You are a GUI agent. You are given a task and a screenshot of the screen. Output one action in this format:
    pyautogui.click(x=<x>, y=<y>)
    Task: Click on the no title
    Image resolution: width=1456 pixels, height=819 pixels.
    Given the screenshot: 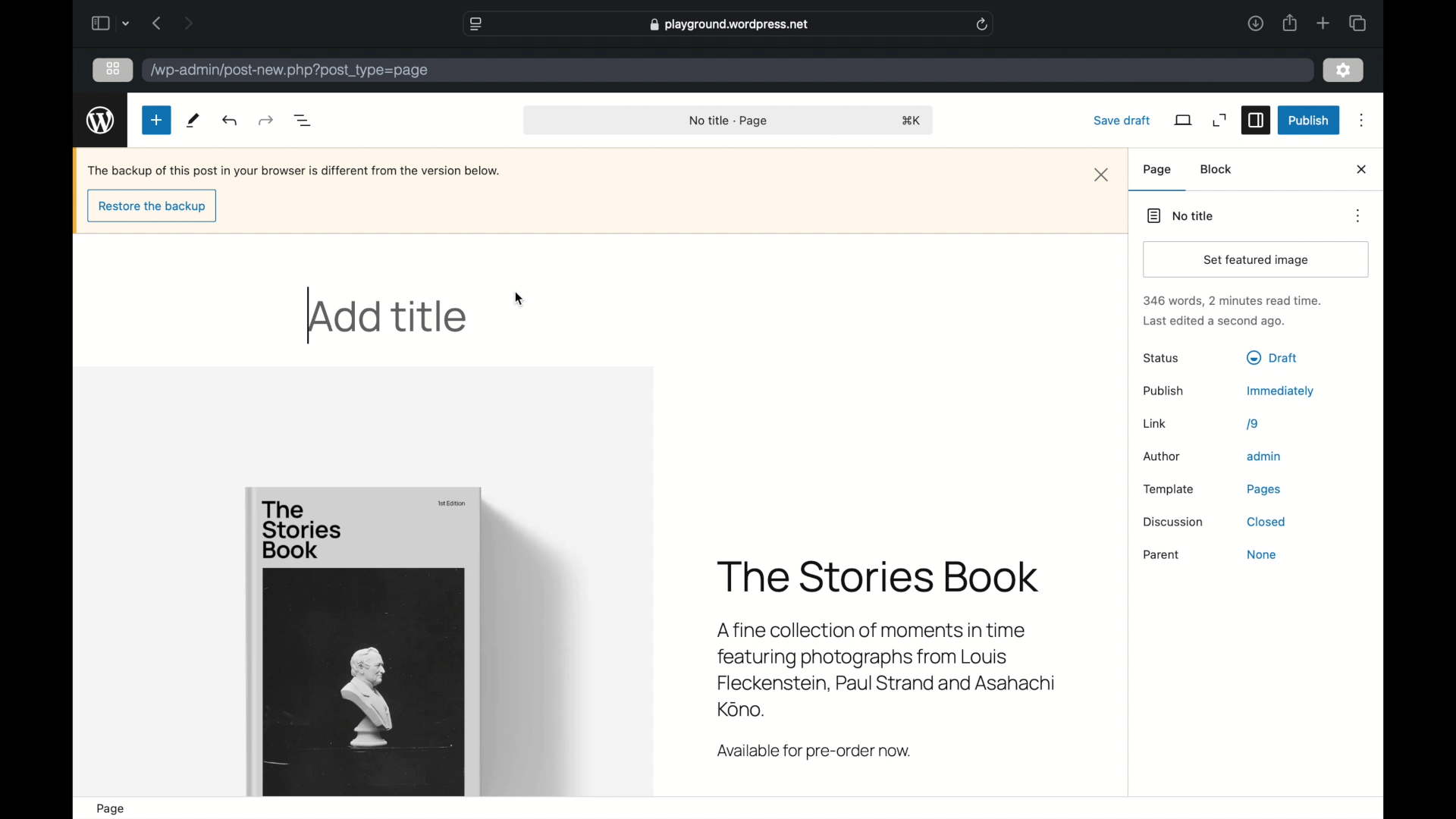 What is the action you would take?
    pyautogui.click(x=1181, y=215)
    